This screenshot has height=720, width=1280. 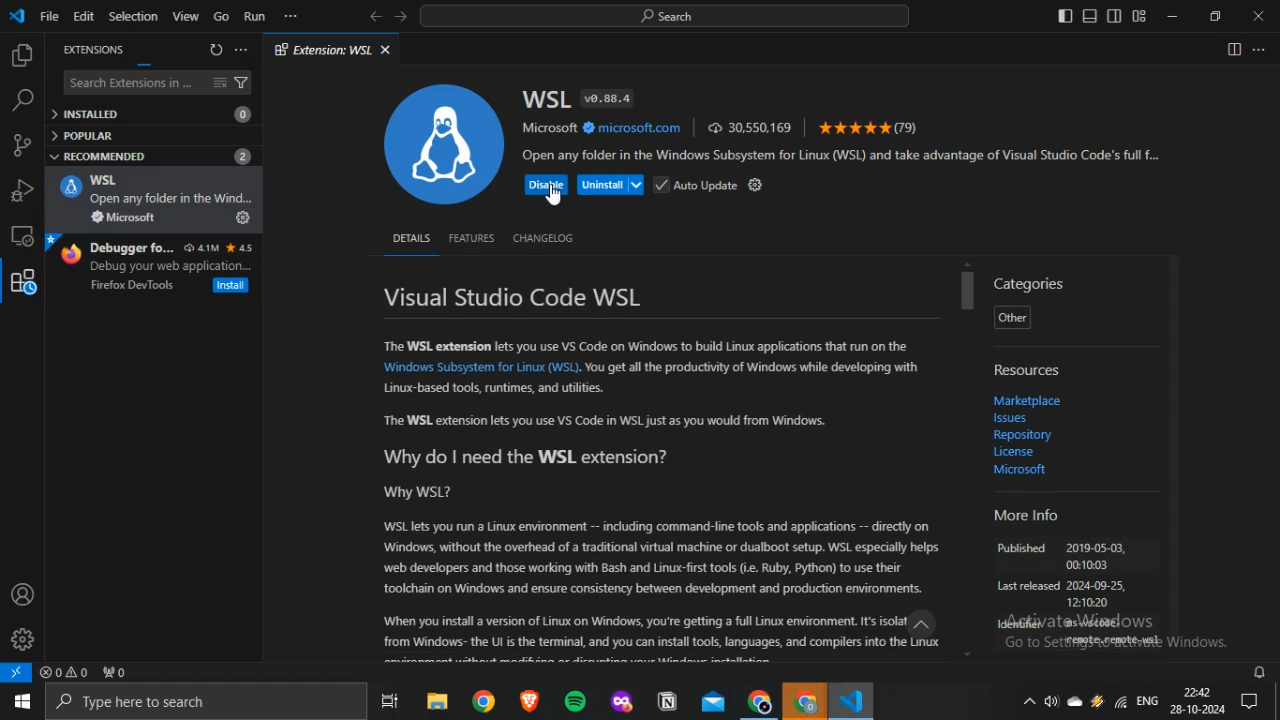 I want to click on CHANGELOG, so click(x=544, y=238).